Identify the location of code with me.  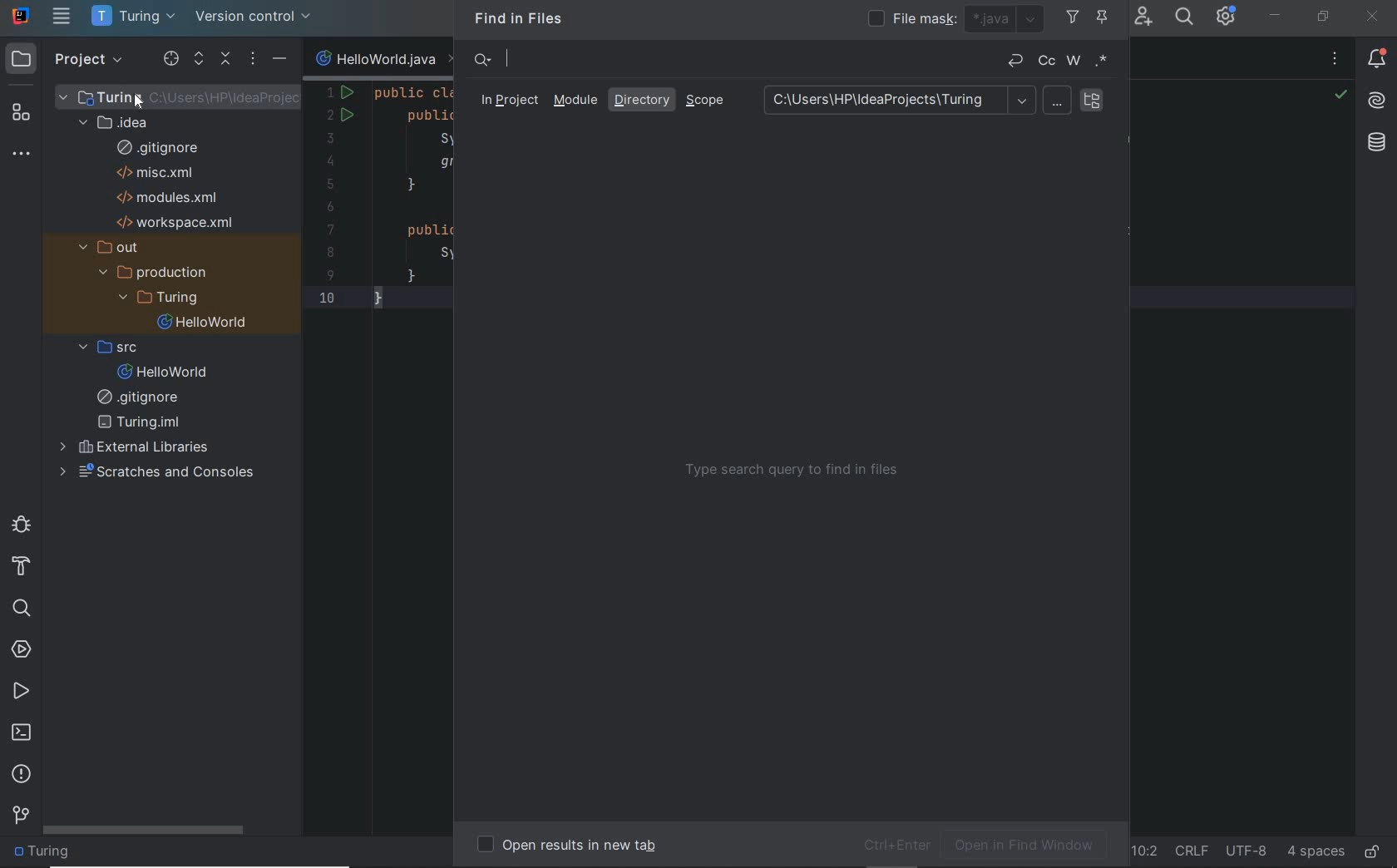
(1143, 22).